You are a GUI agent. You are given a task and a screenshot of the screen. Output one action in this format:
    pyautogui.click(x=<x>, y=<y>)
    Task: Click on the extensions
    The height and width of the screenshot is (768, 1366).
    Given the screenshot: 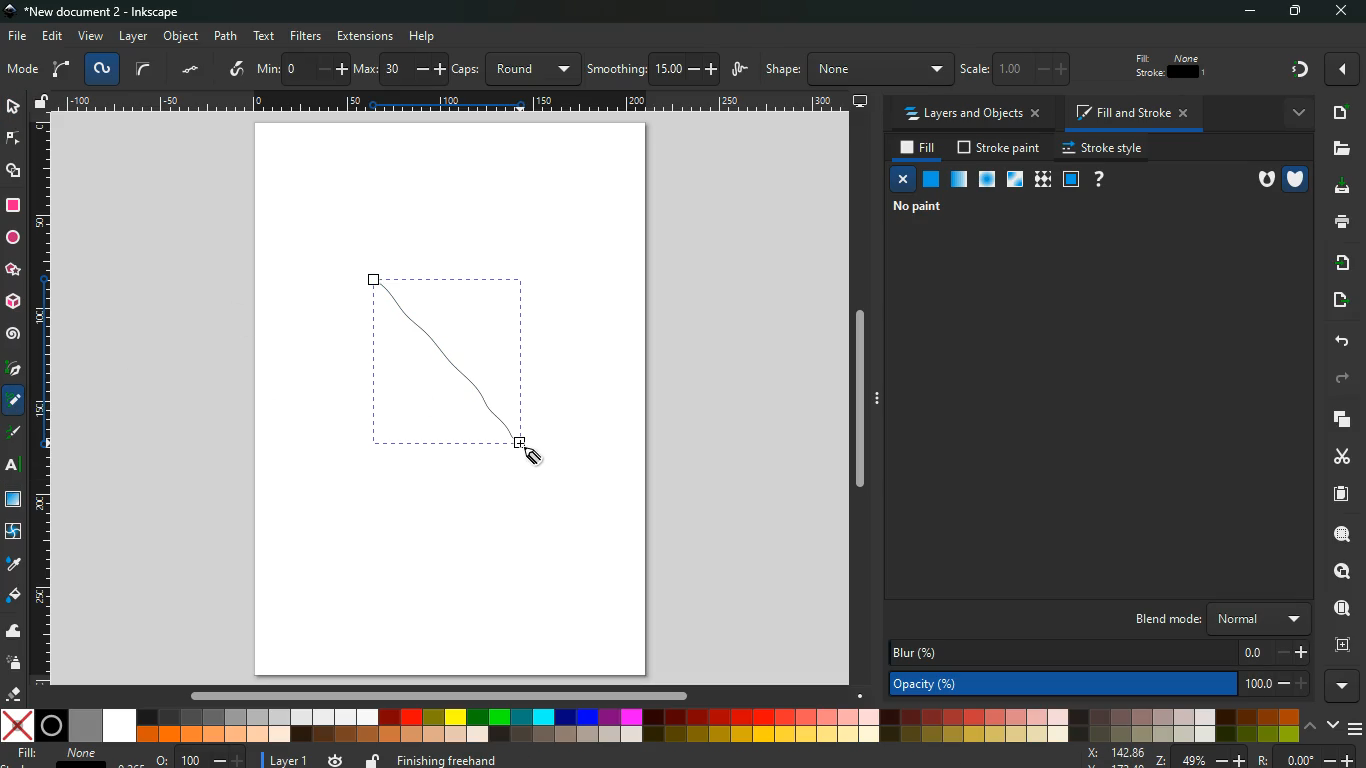 What is the action you would take?
    pyautogui.click(x=365, y=35)
    